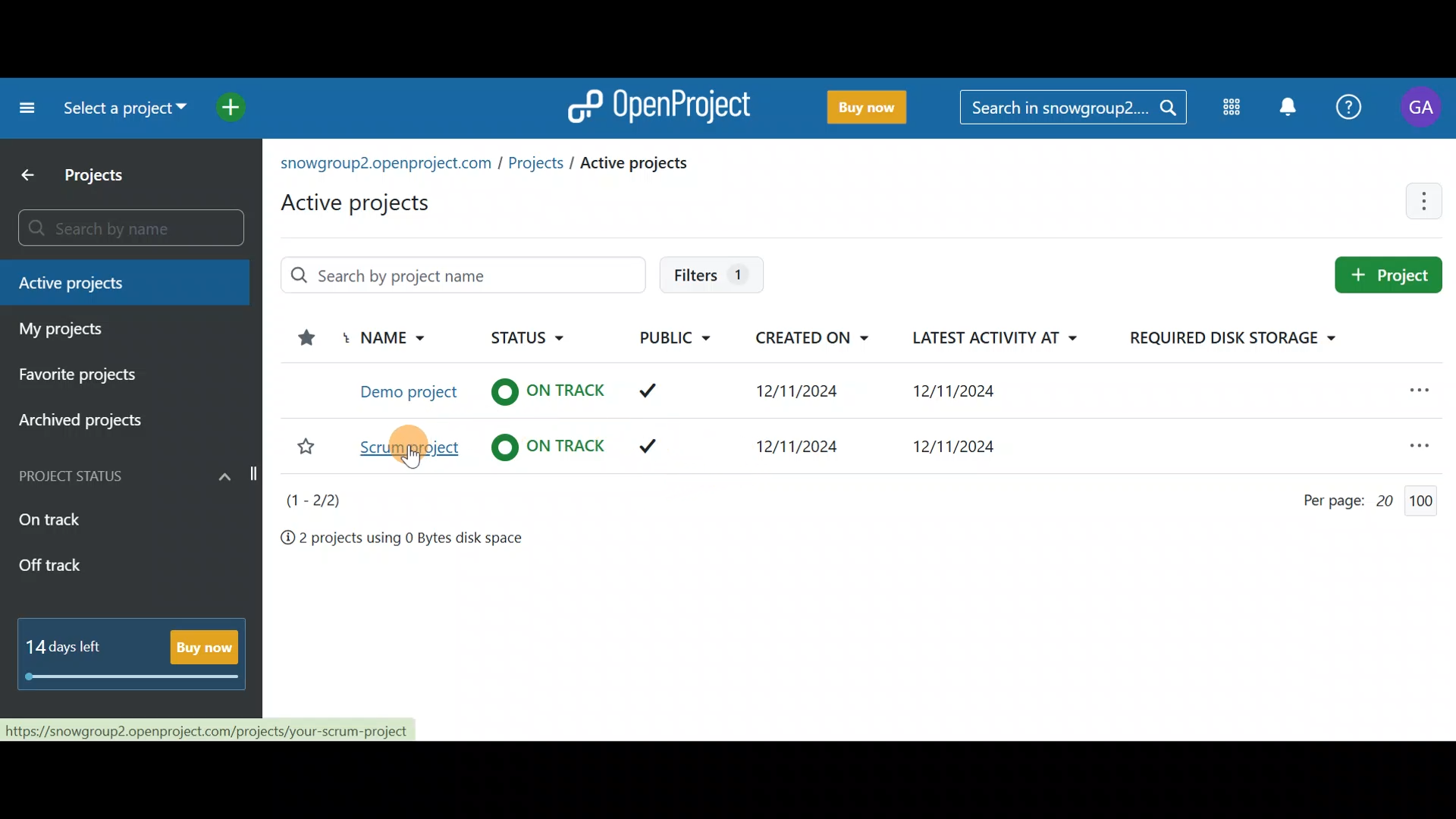 The image size is (1456, 819). Describe the element at coordinates (648, 447) in the screenshot. I see `public` at that location.